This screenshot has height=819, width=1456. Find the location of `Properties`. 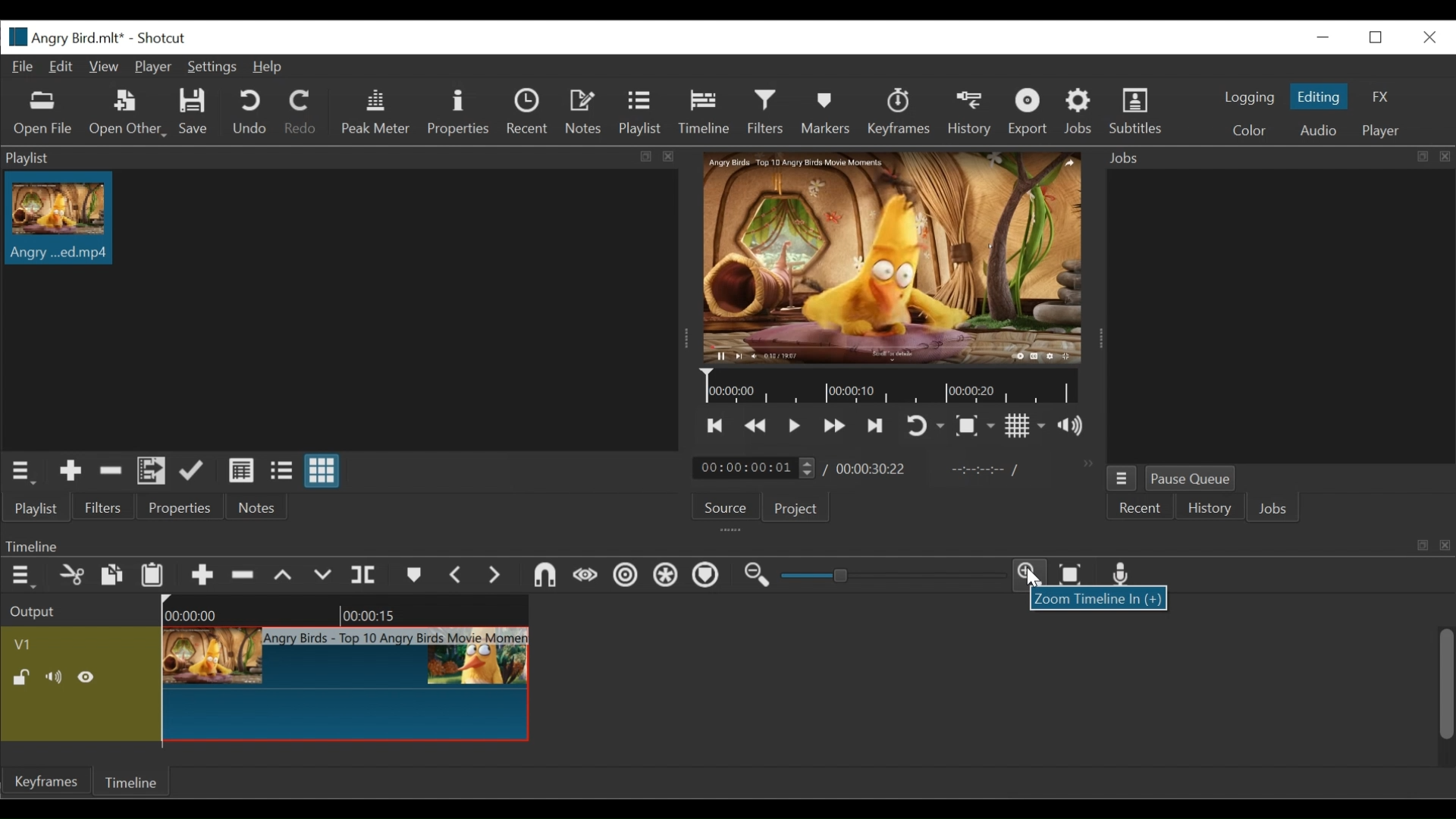

Properties is located at coordinates (180, 509).